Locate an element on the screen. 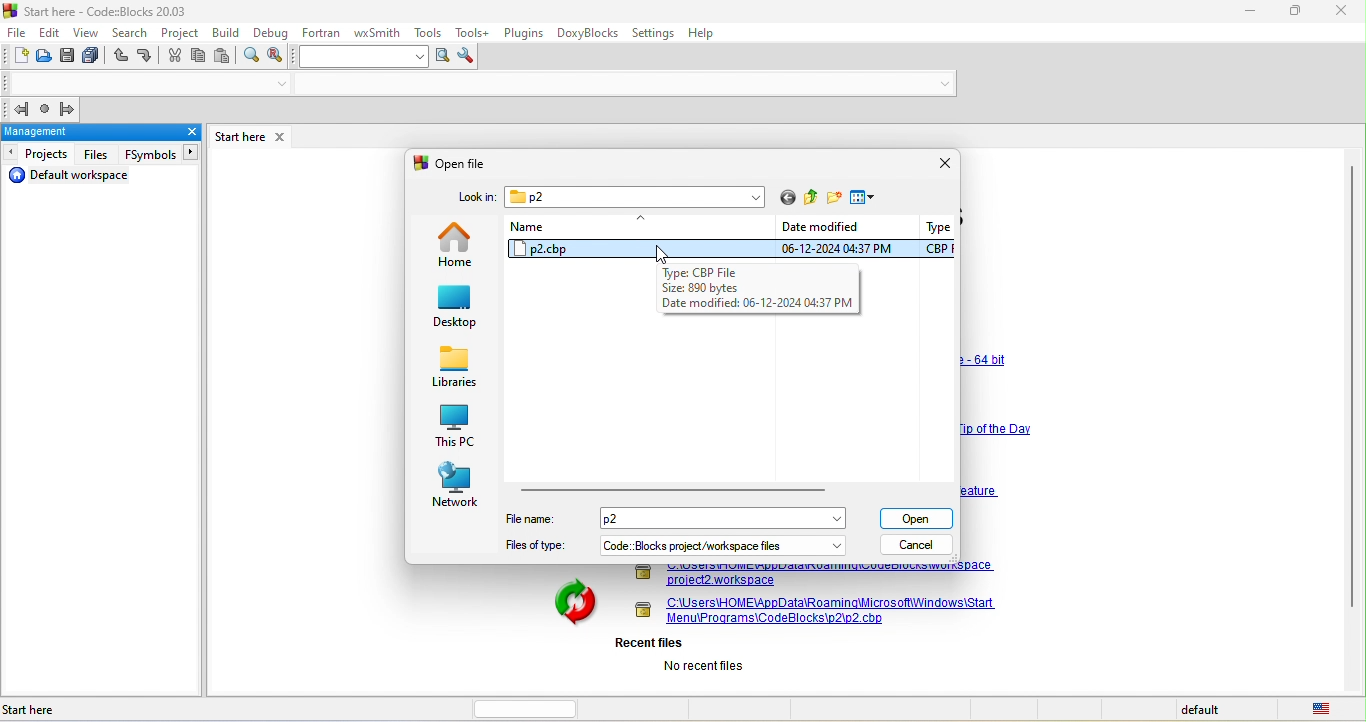 Image resolution: width=1366 pixels, height=722 pixels. home is located at coordinates (461, 248).